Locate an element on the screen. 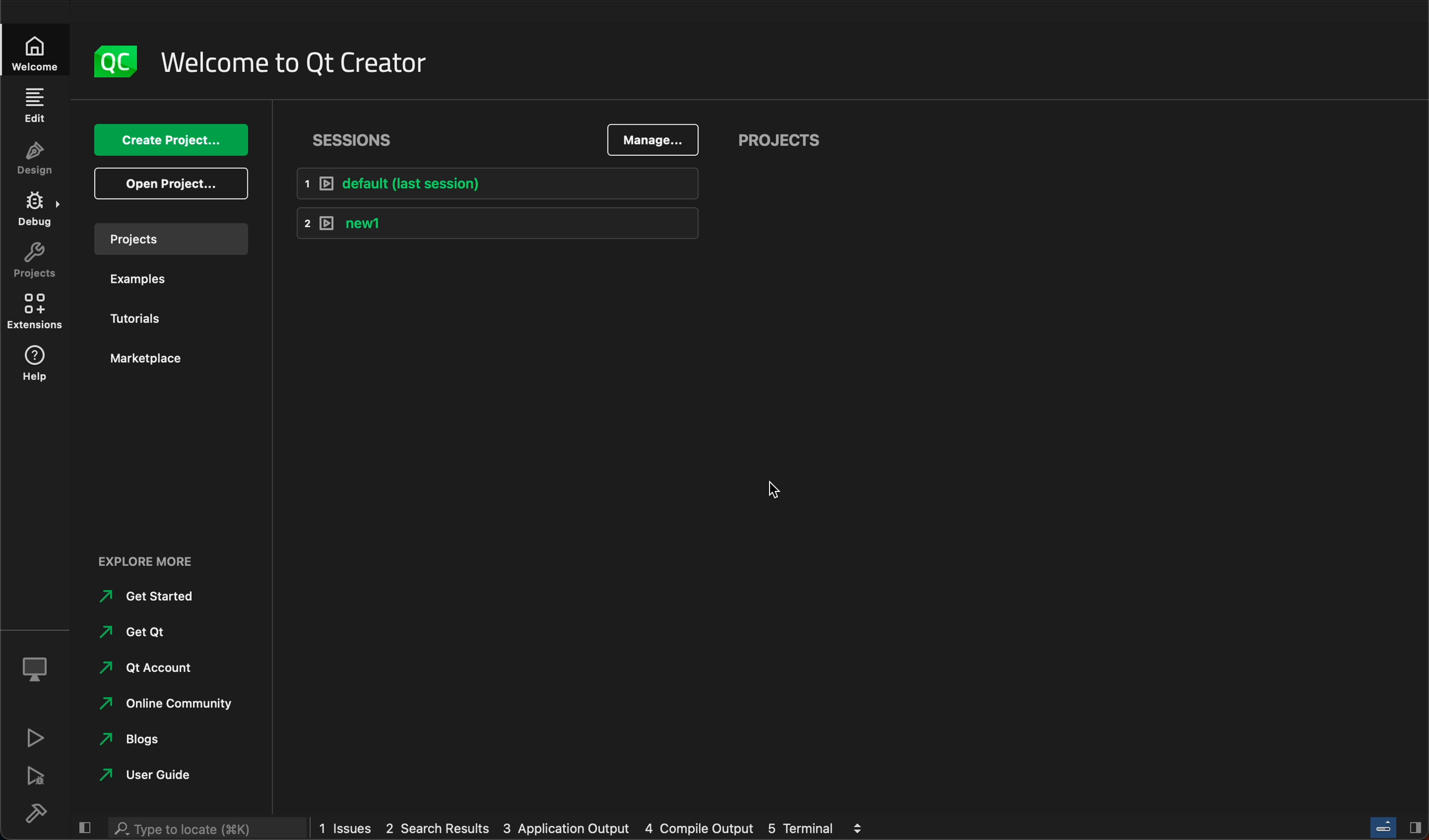 Image resolution: width=1429 pixels, height=840 pixels. projects is located at coordinates (33, 265).